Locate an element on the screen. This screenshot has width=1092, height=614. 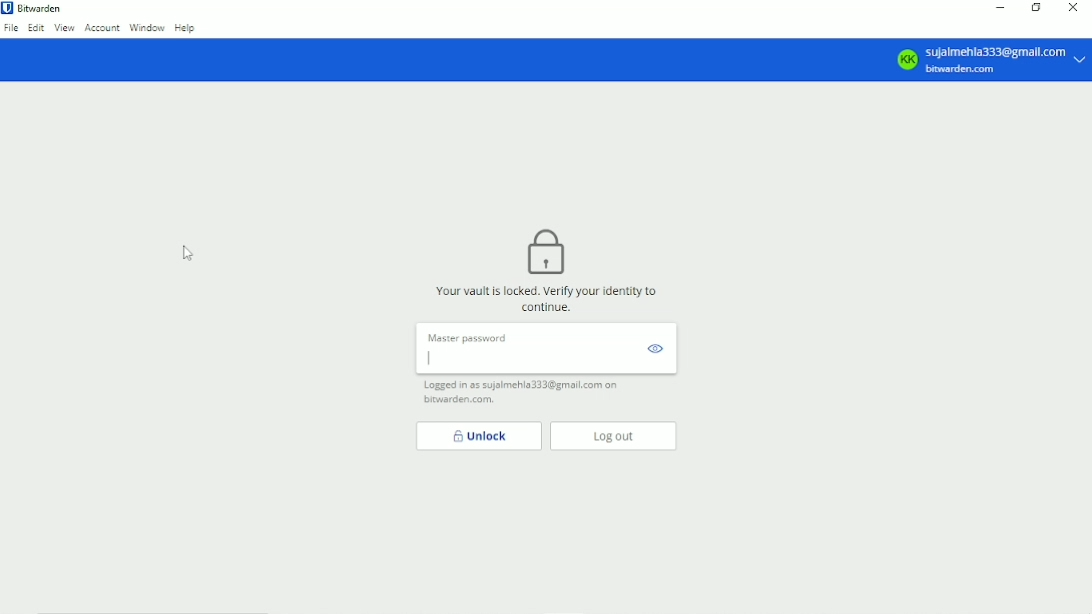
Minimize is located at coordinates (1001, 10).